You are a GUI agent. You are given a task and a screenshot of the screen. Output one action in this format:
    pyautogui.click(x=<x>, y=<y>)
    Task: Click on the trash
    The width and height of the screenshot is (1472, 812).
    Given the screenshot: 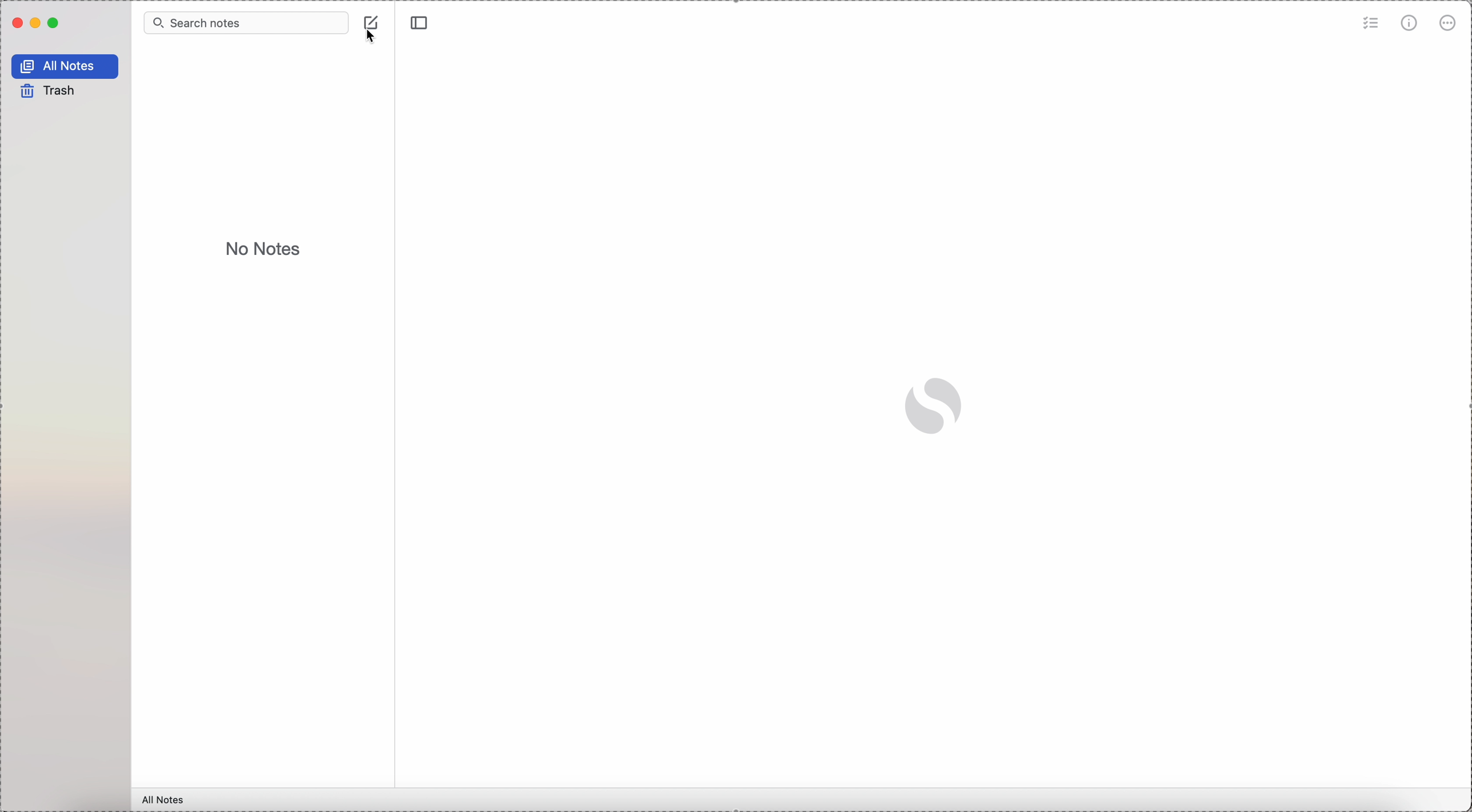 What is the action you would take?
    pyautogui.click(x=49, y=91)
    